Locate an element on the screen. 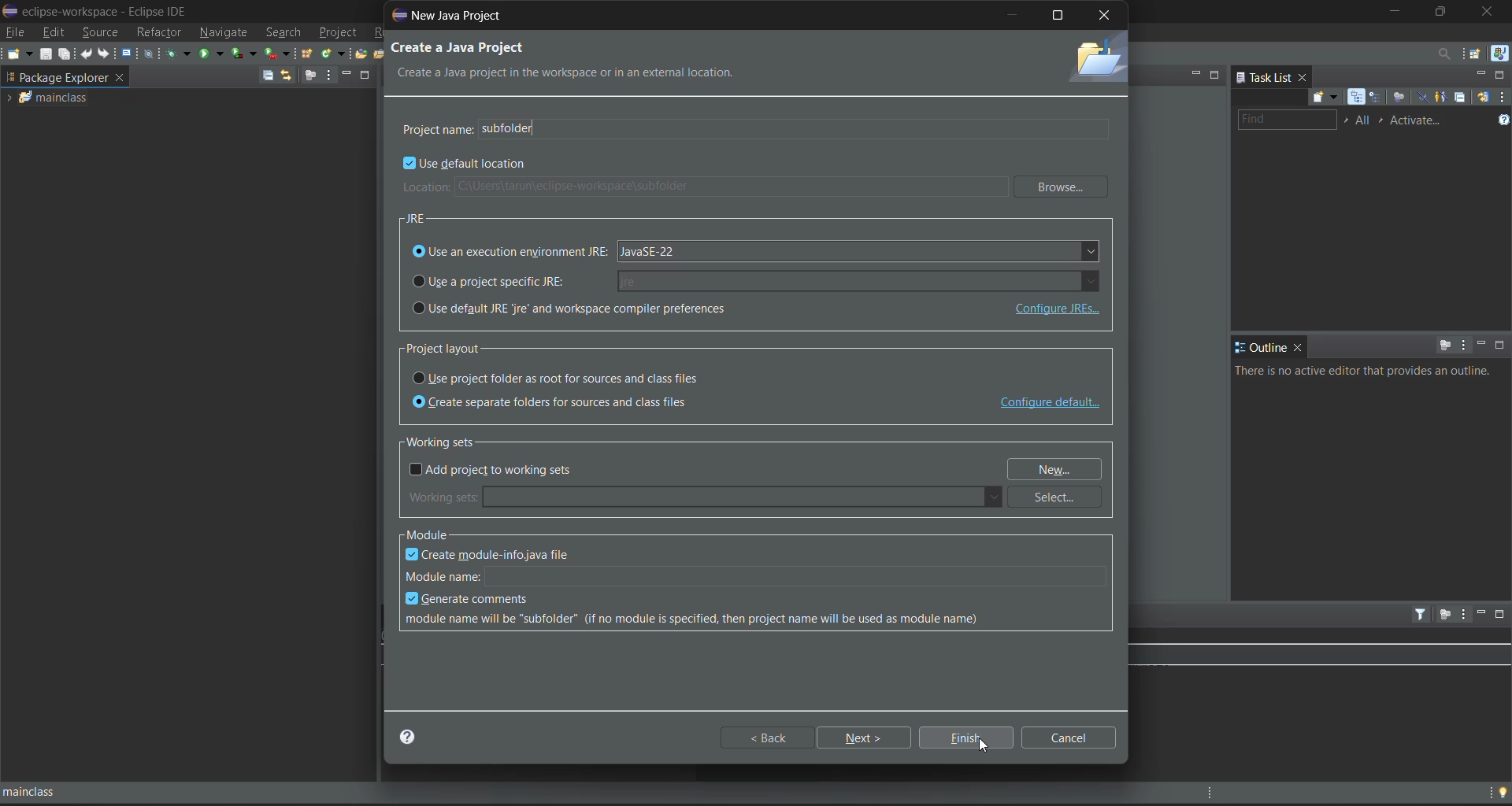 This screenshot has width=1512, height=806. collapse all is located at coordinates (267, 76).